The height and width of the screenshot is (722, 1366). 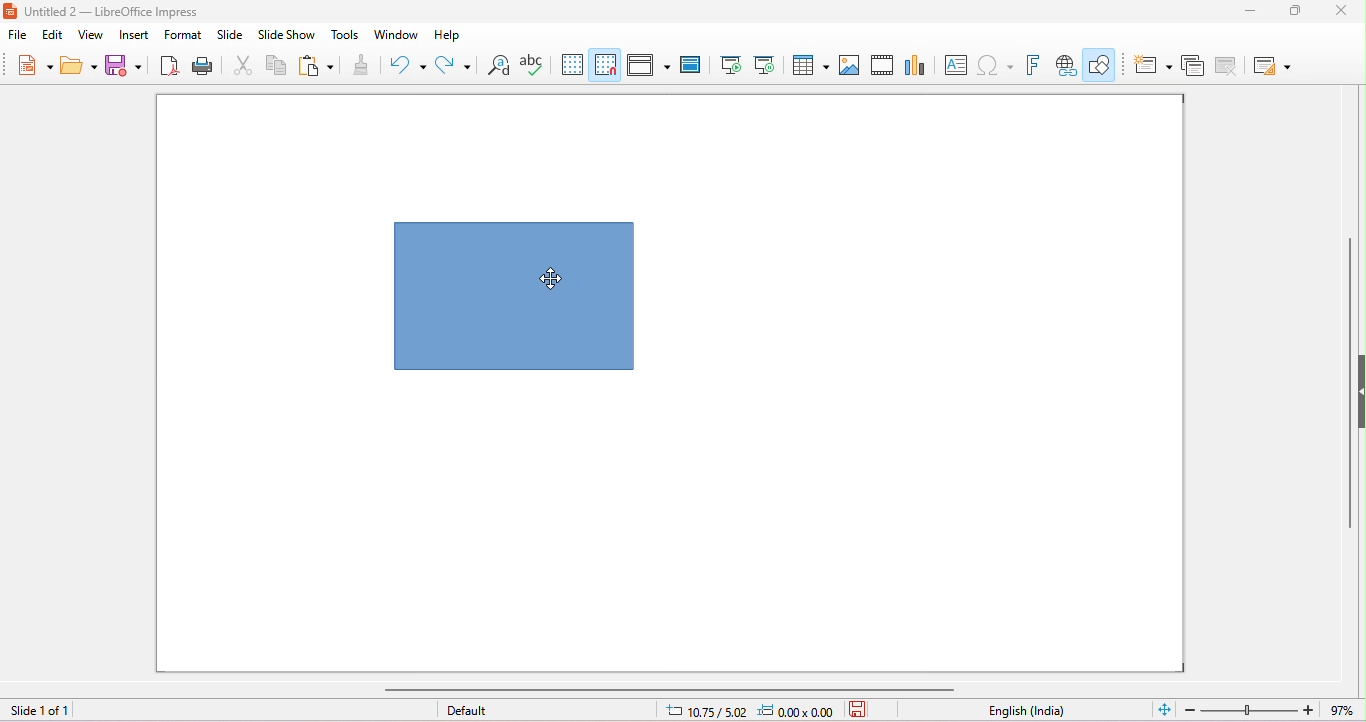 I want to click on insert image, so click(x=849, y=64).